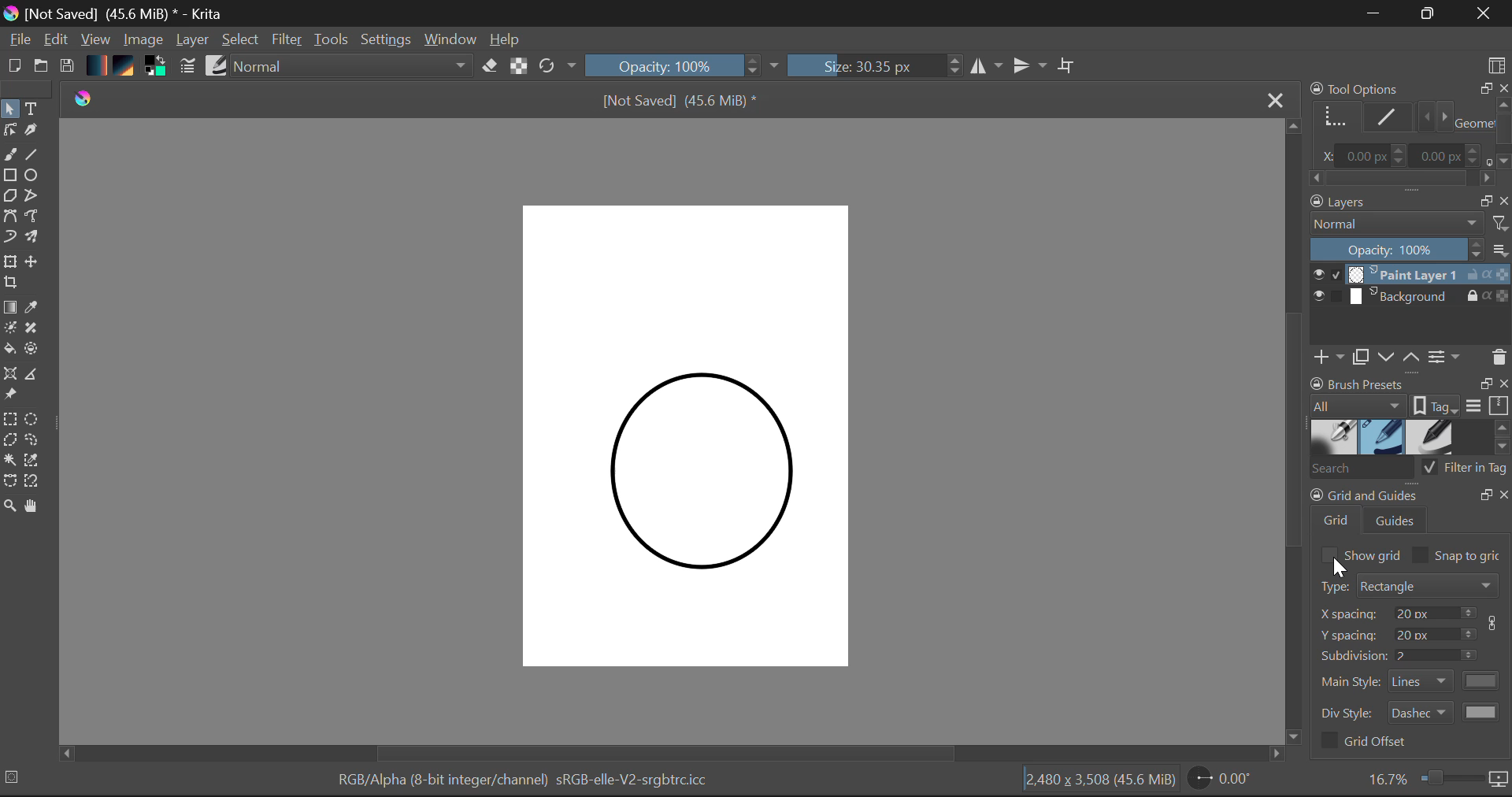 The image size is (1512, 797). What do you see at coordinates (1436, 780) in the screenshot?
I see `Zoom` at bounding box center [1436, 780].